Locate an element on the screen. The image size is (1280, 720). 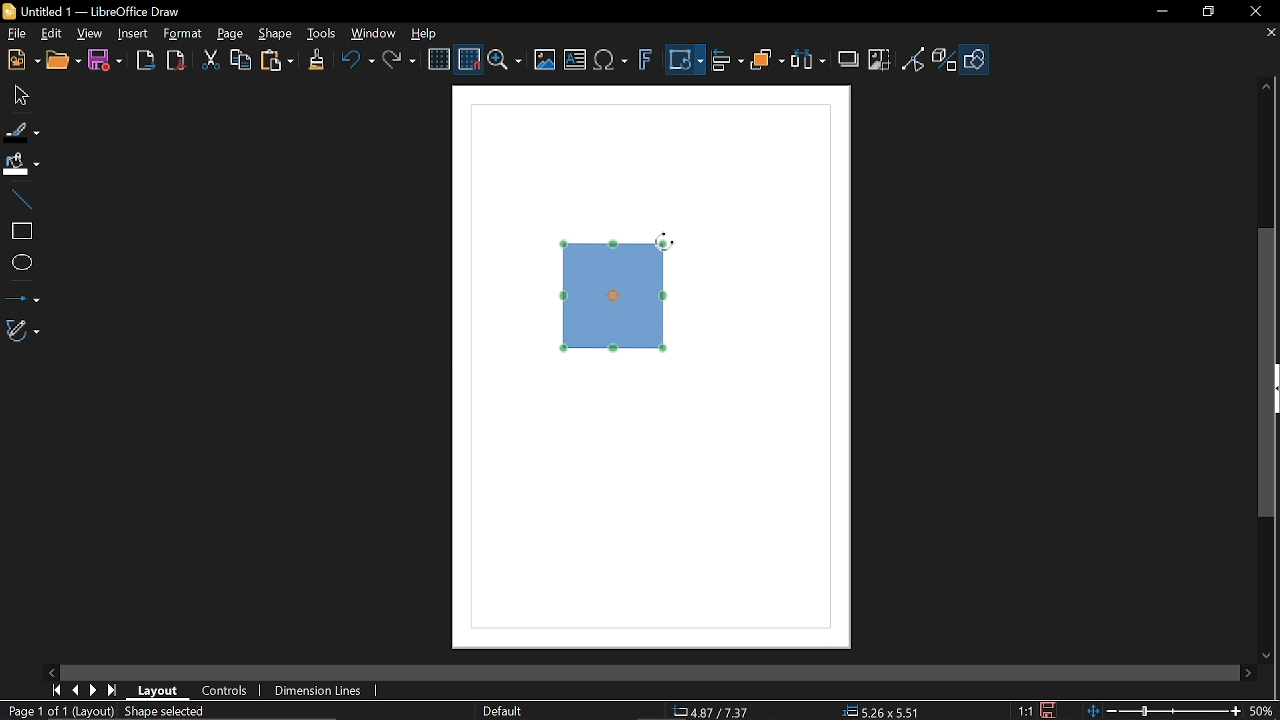
Cut is located at coordinates (208, 61).